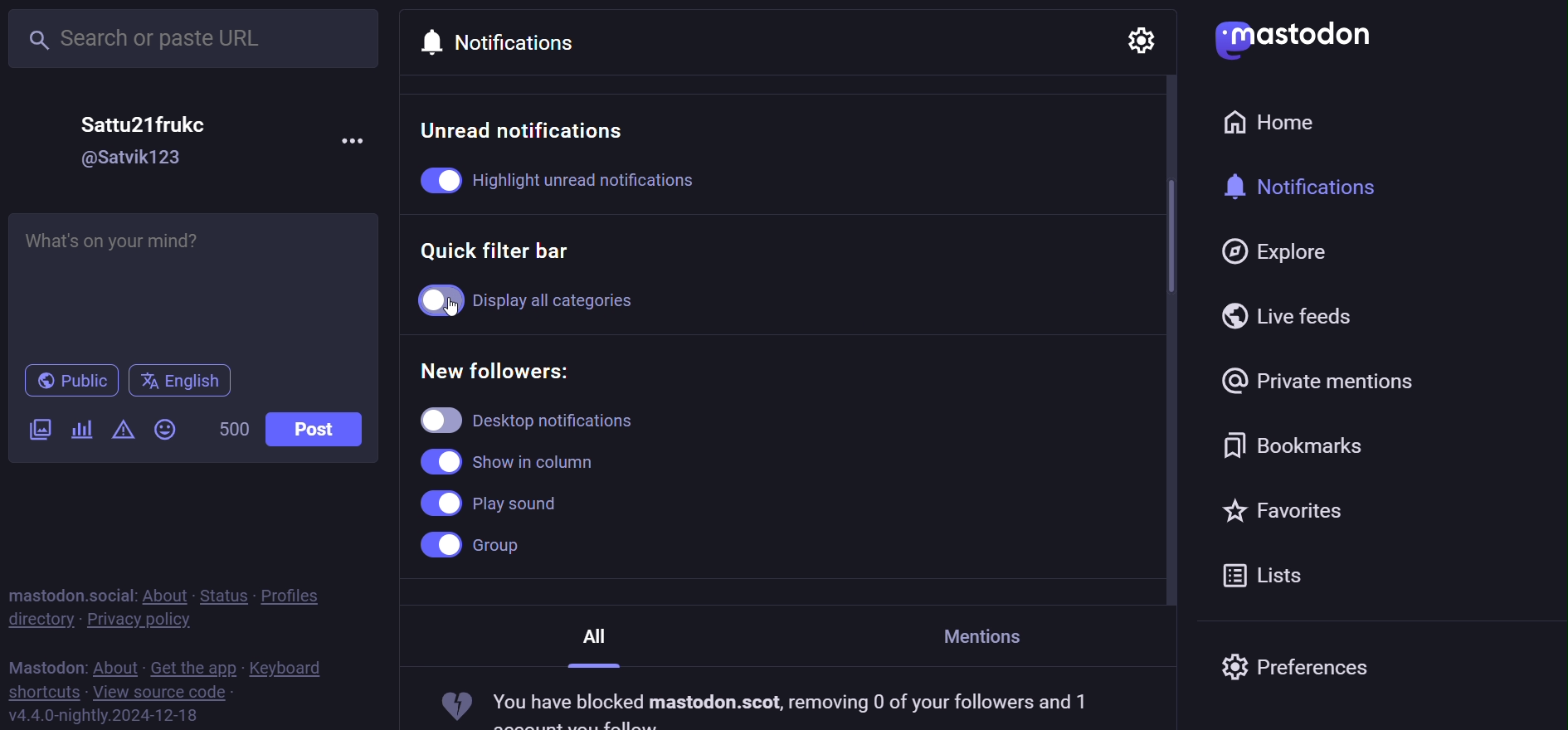 This screenshot has width=1568, height=730. I want to click on new followers, so click(504, 370).